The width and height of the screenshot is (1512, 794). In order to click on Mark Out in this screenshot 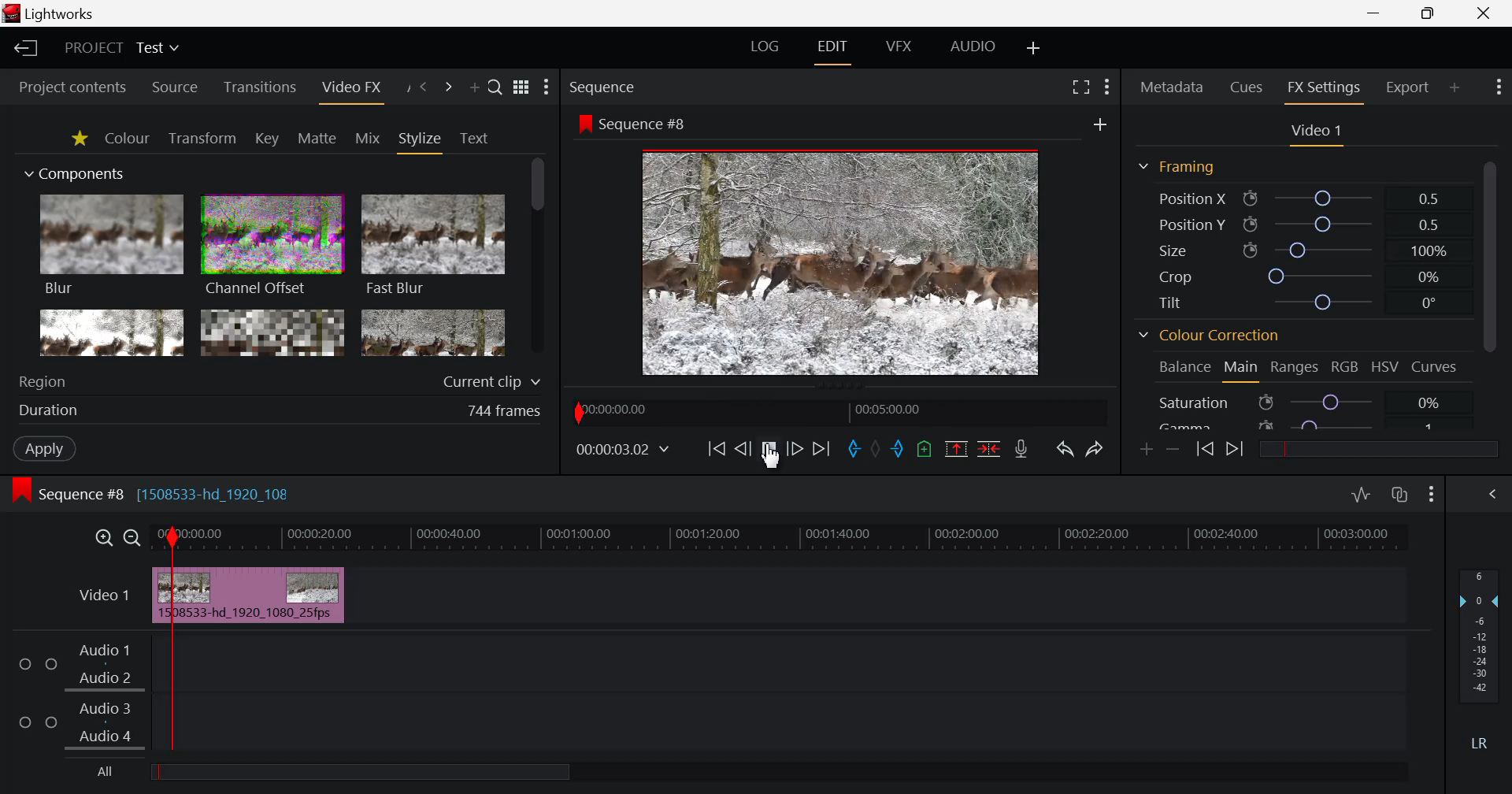, I will do `click(902, 451)`.